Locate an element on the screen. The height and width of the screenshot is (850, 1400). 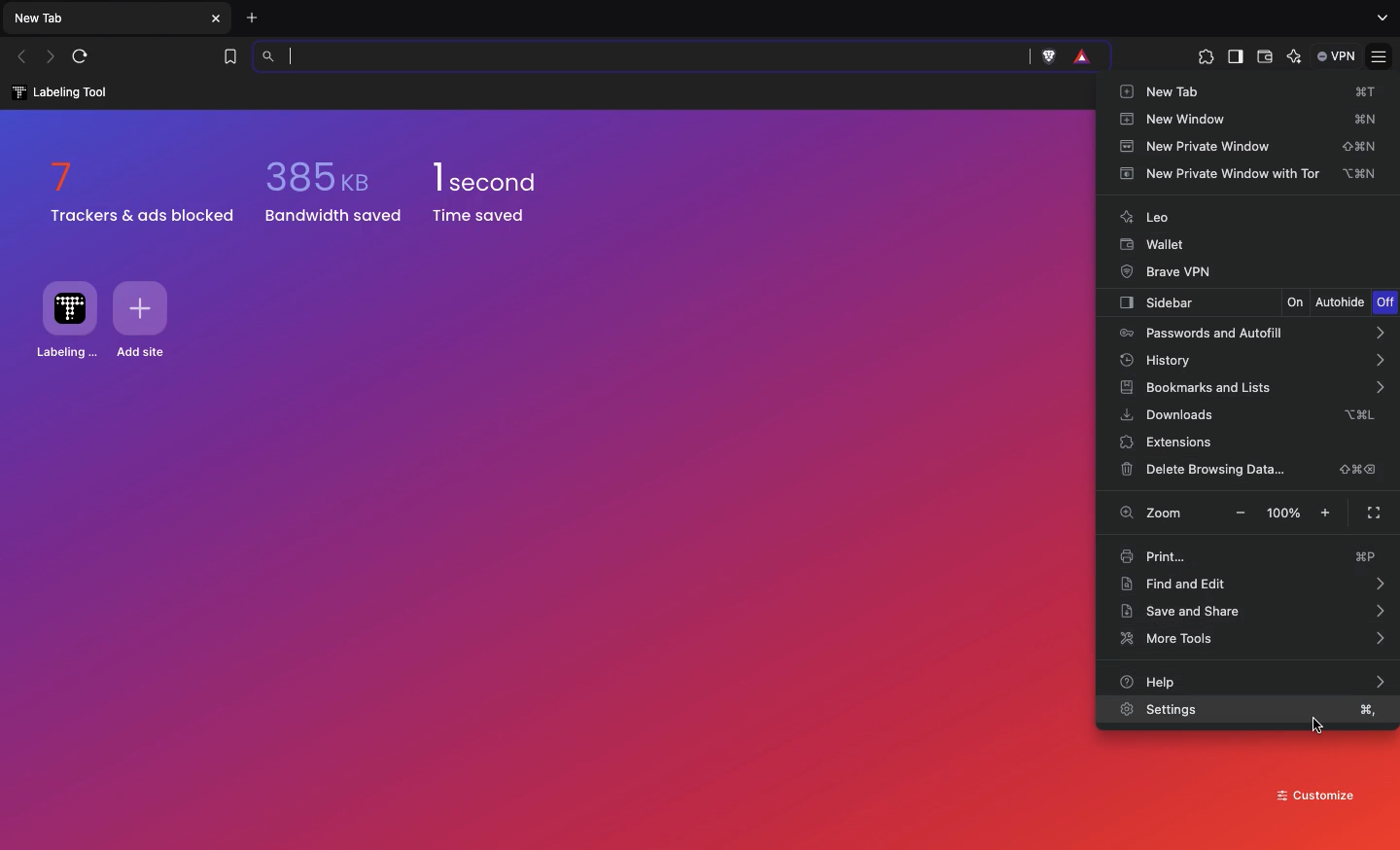
Add new tab is located at coordinates (251, 17).